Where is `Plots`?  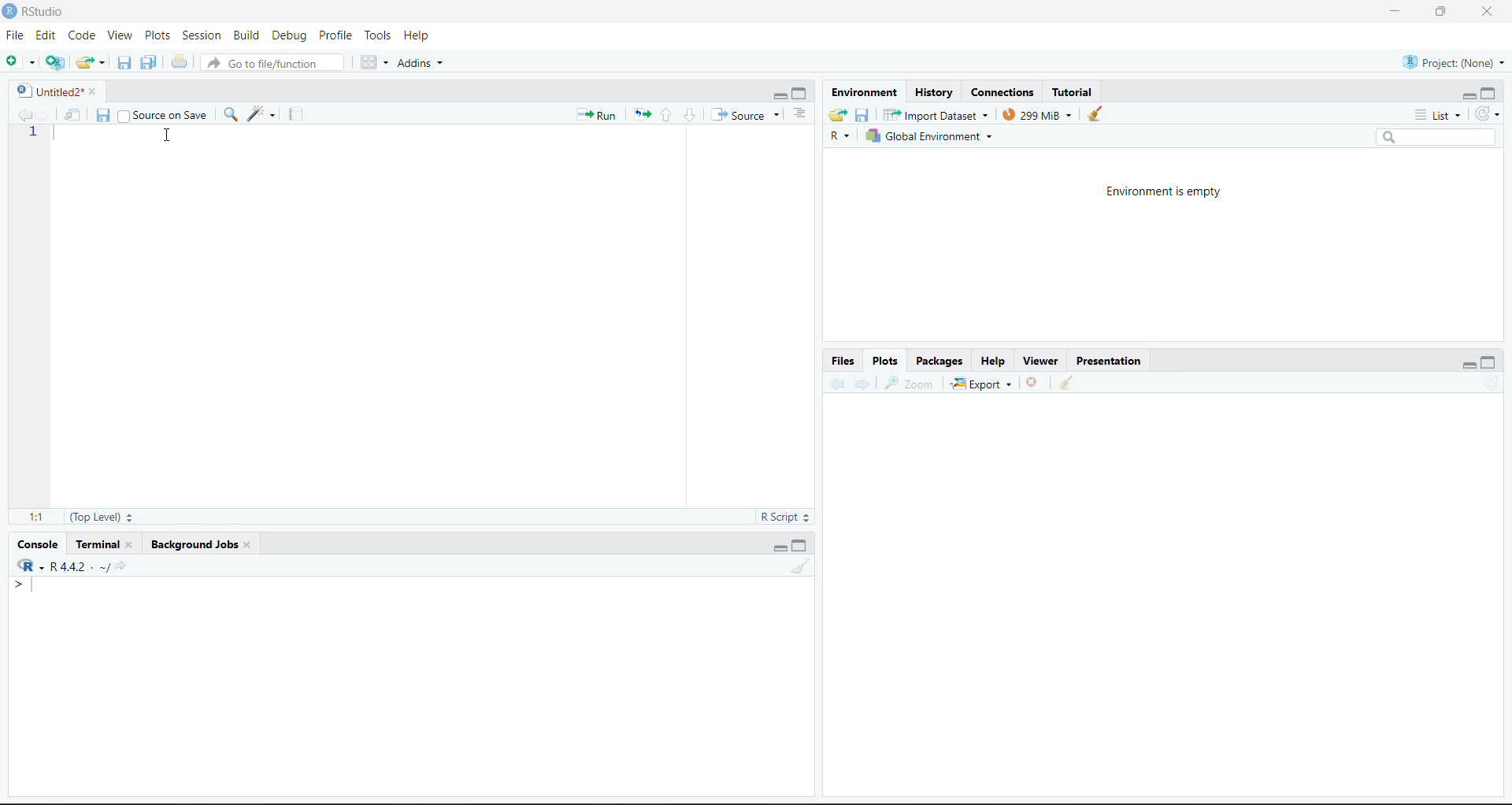
Plots is located at coordinates (157, 35).